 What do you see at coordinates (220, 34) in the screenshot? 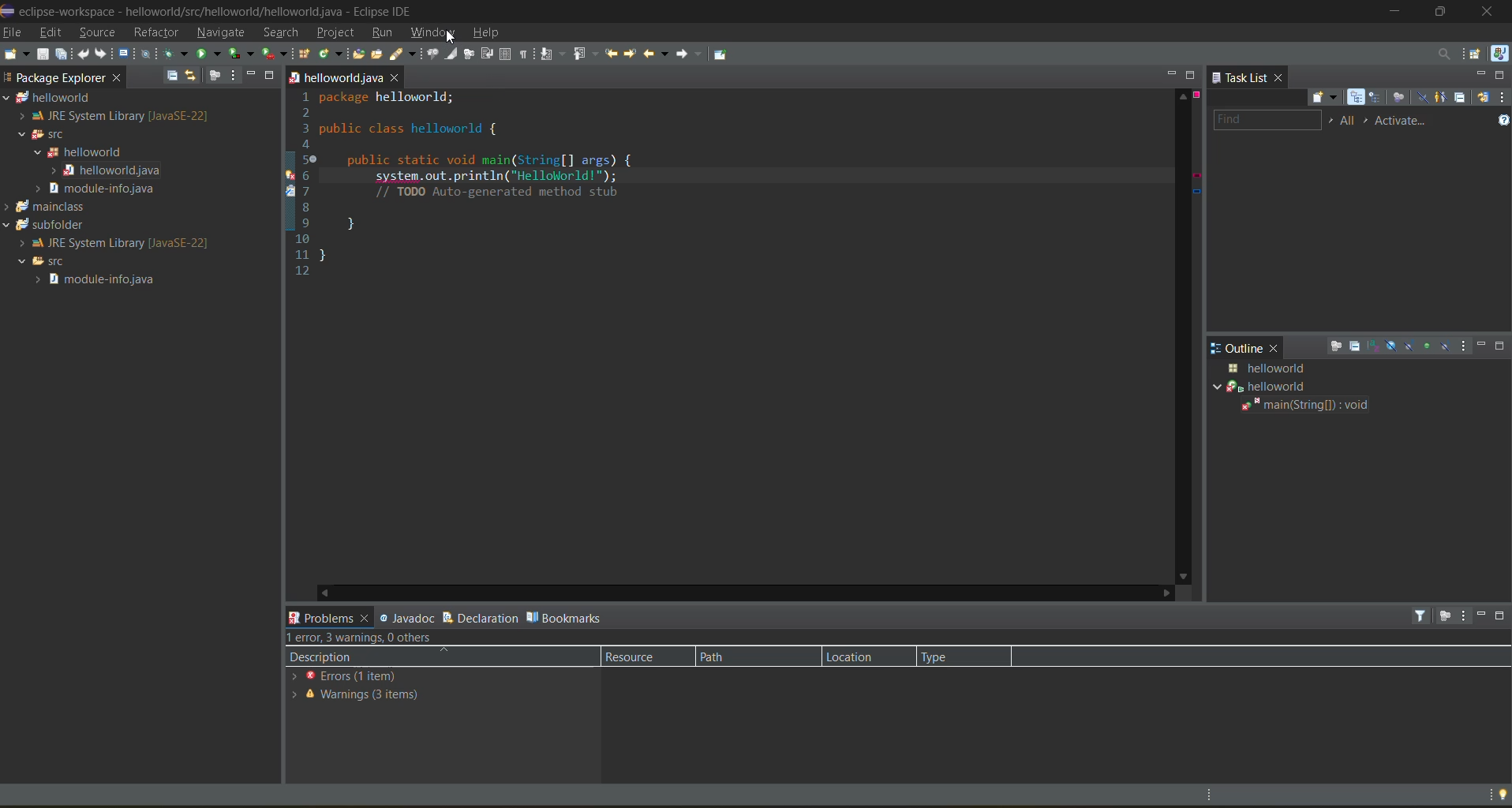
I see `navigate` at bounding box center [220, 34].